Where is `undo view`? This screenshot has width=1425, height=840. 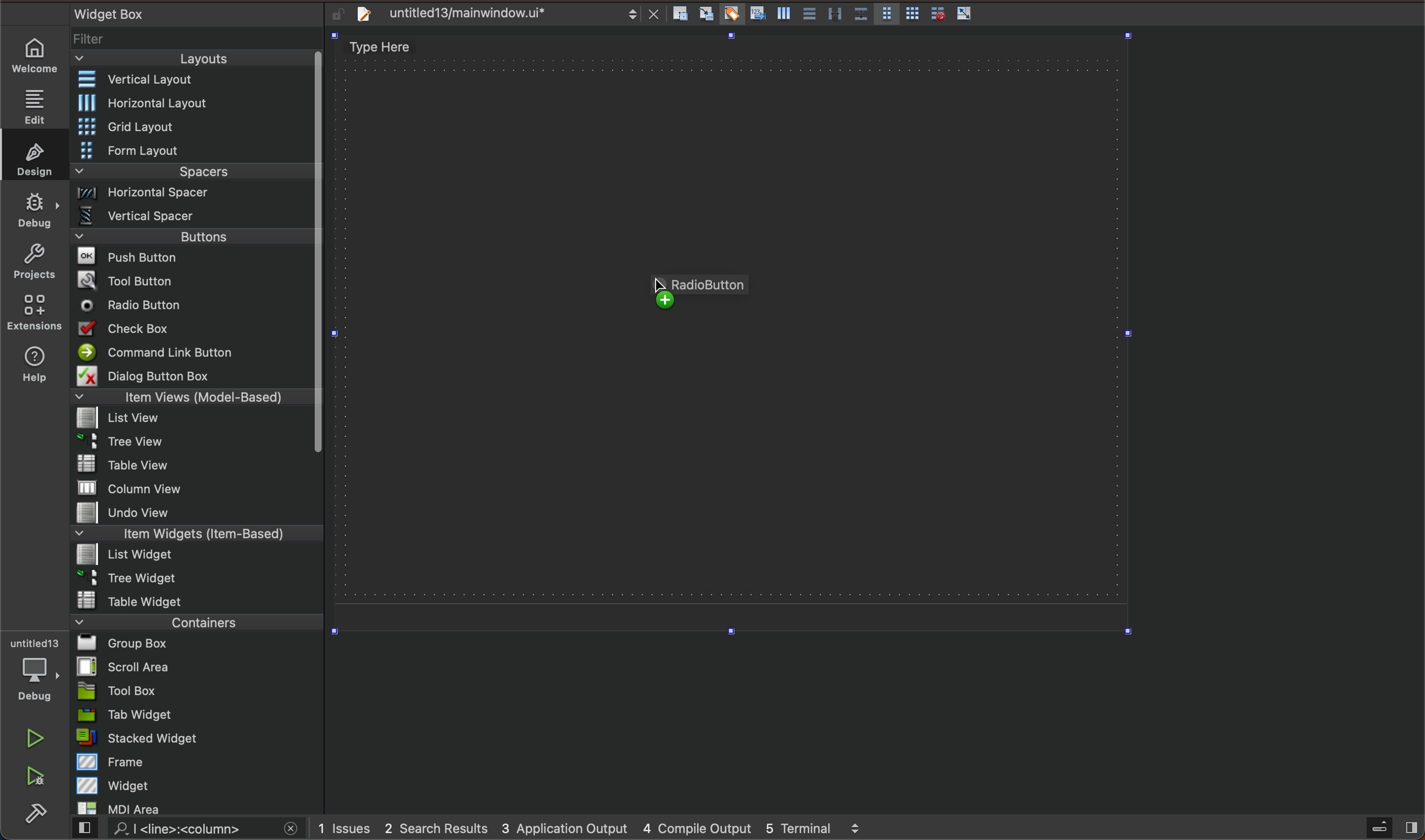 undo view is located at coordinates (197, 512).